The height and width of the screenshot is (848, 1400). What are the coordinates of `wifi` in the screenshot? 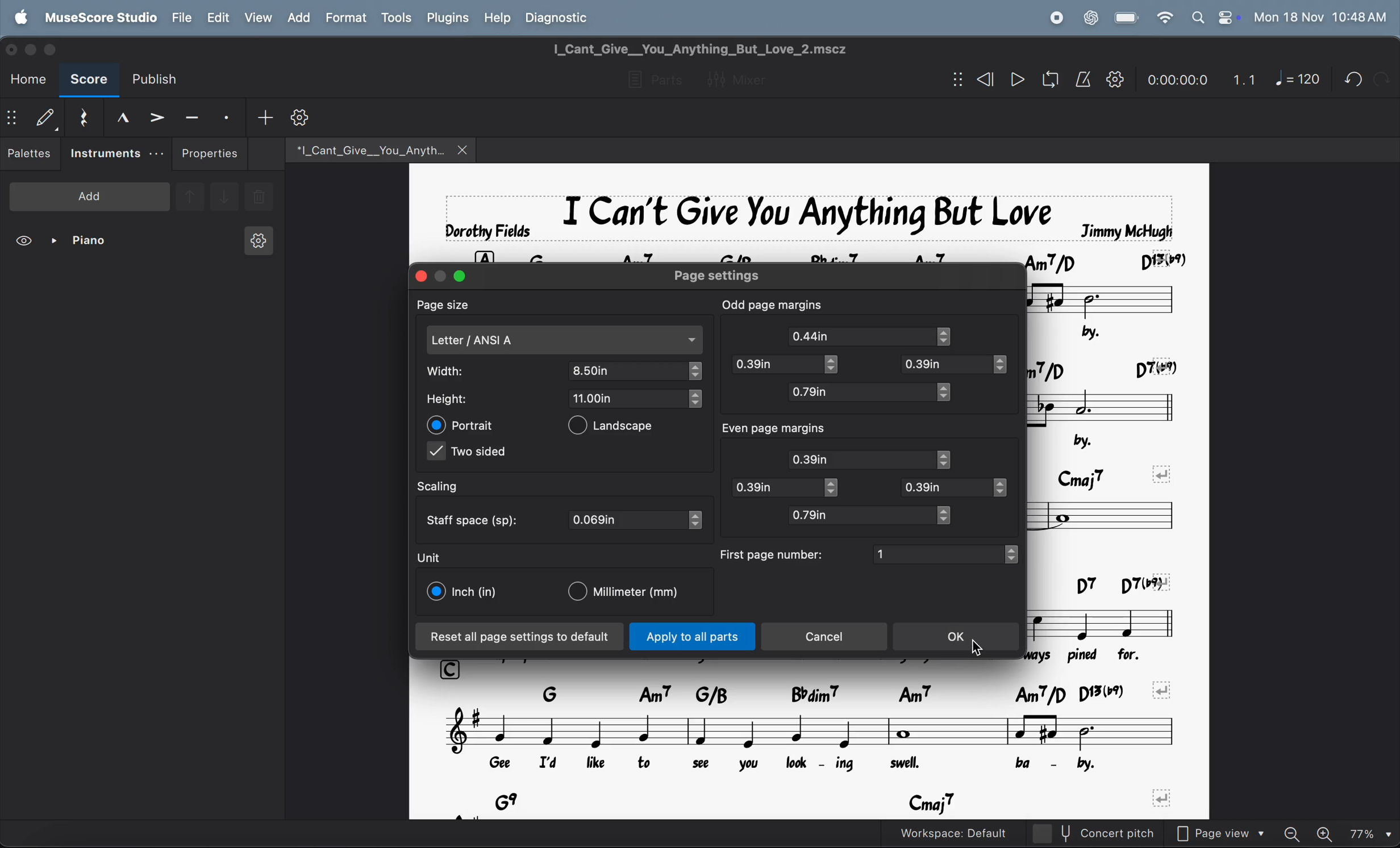 It's located at (1163, 18).